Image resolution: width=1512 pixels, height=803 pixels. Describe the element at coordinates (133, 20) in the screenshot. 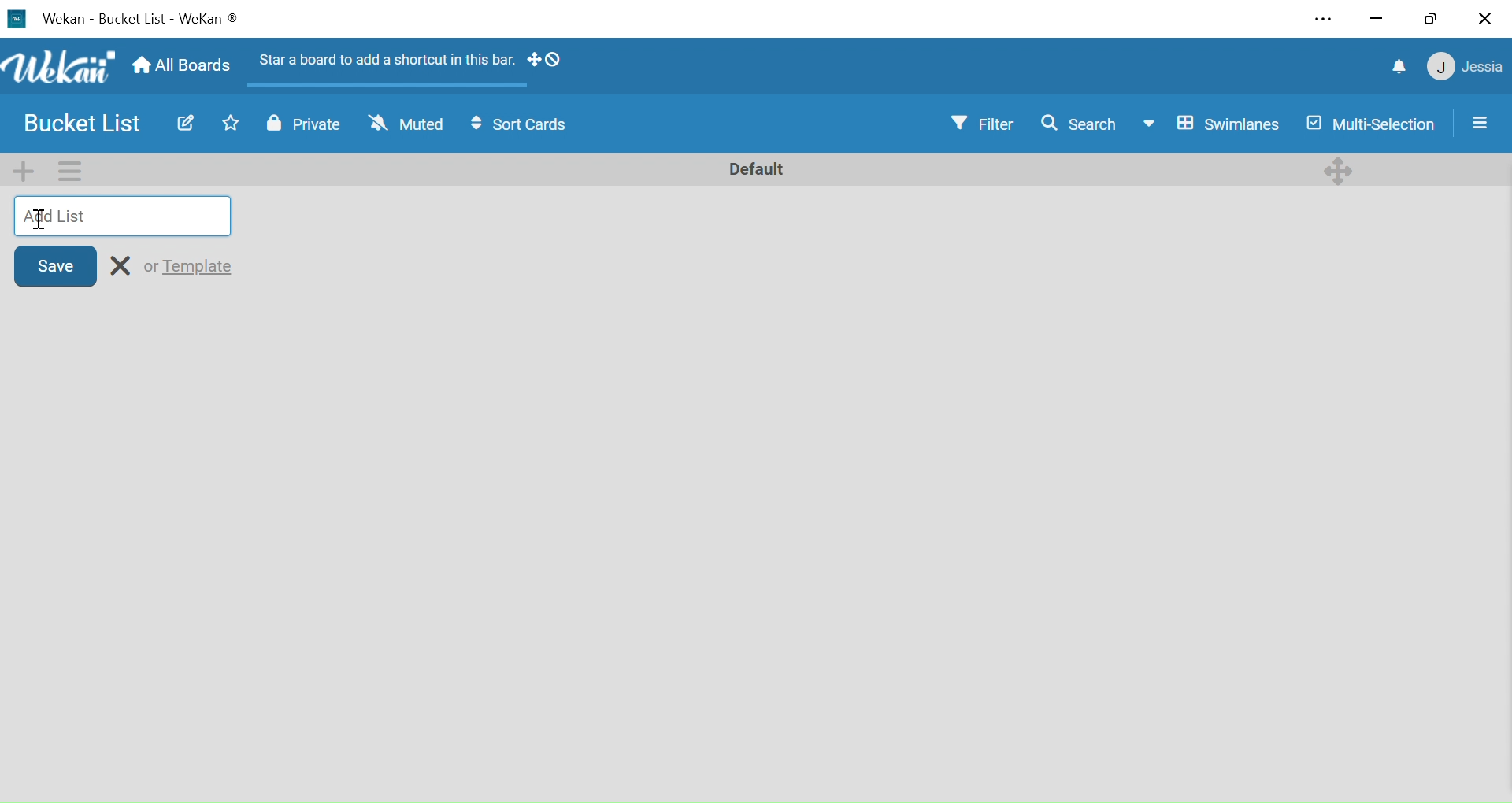

I see `Board name` at that location.